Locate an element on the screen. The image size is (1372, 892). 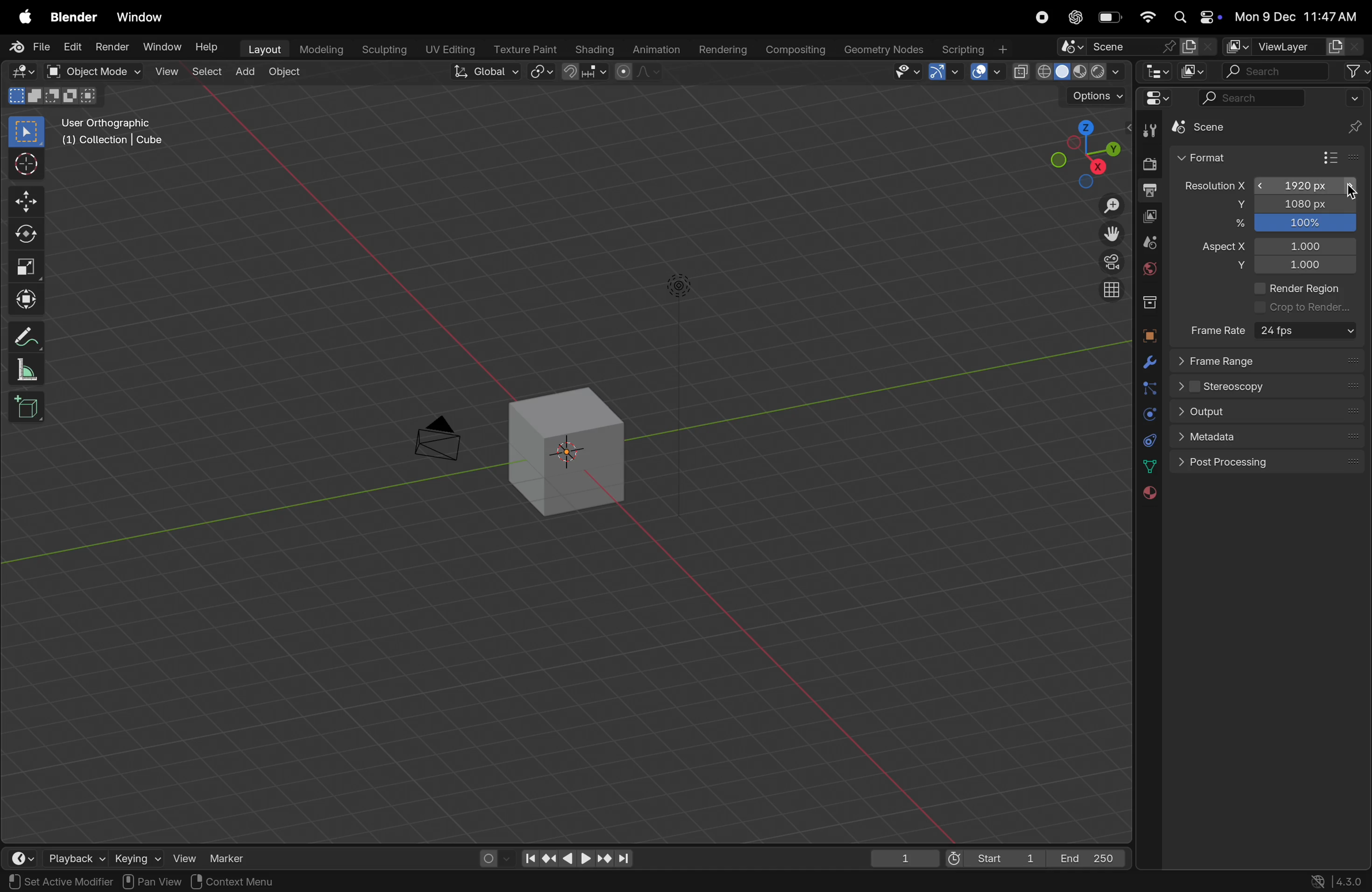
cursor is located at coordinates (24, 162).